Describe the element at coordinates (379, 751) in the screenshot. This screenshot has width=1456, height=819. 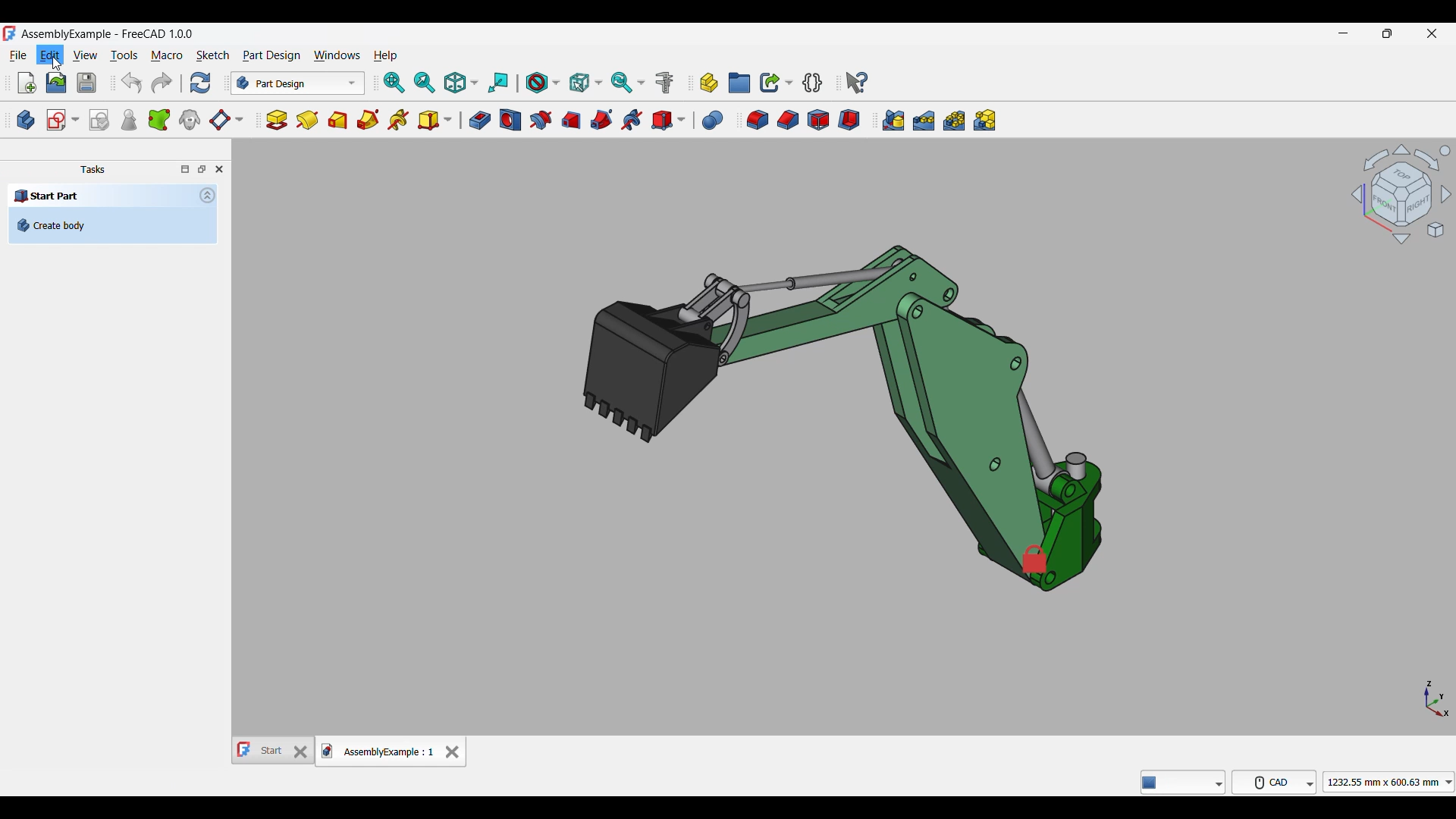
I see `AssemblyExample : 1, current tab highlighted` at that location.